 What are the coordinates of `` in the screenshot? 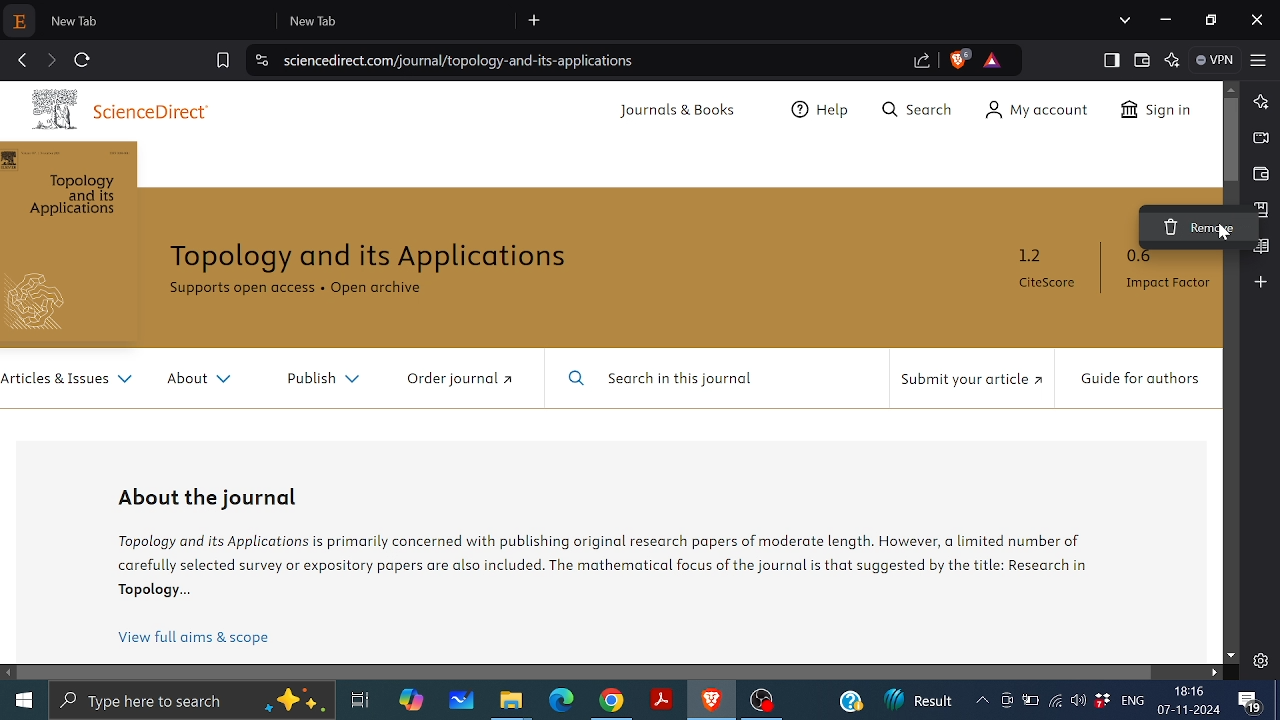 It's located at (1057, 702).